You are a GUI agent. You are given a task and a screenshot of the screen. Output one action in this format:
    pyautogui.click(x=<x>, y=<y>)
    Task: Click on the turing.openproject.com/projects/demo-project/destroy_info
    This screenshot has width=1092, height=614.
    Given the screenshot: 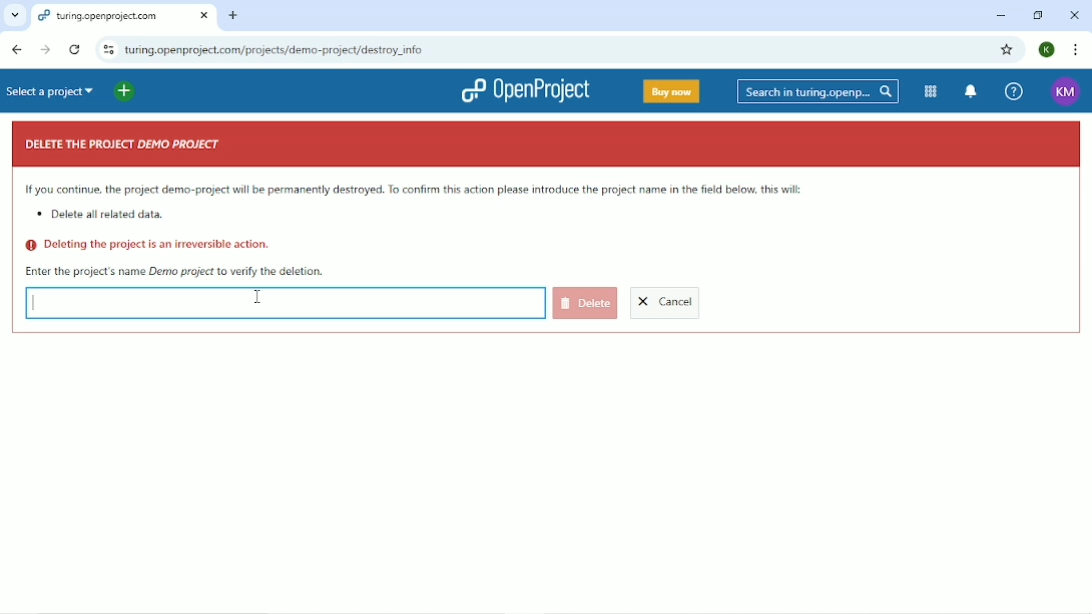 What is the action you would take?
    pyautogui.click(x=312, y=49)
    